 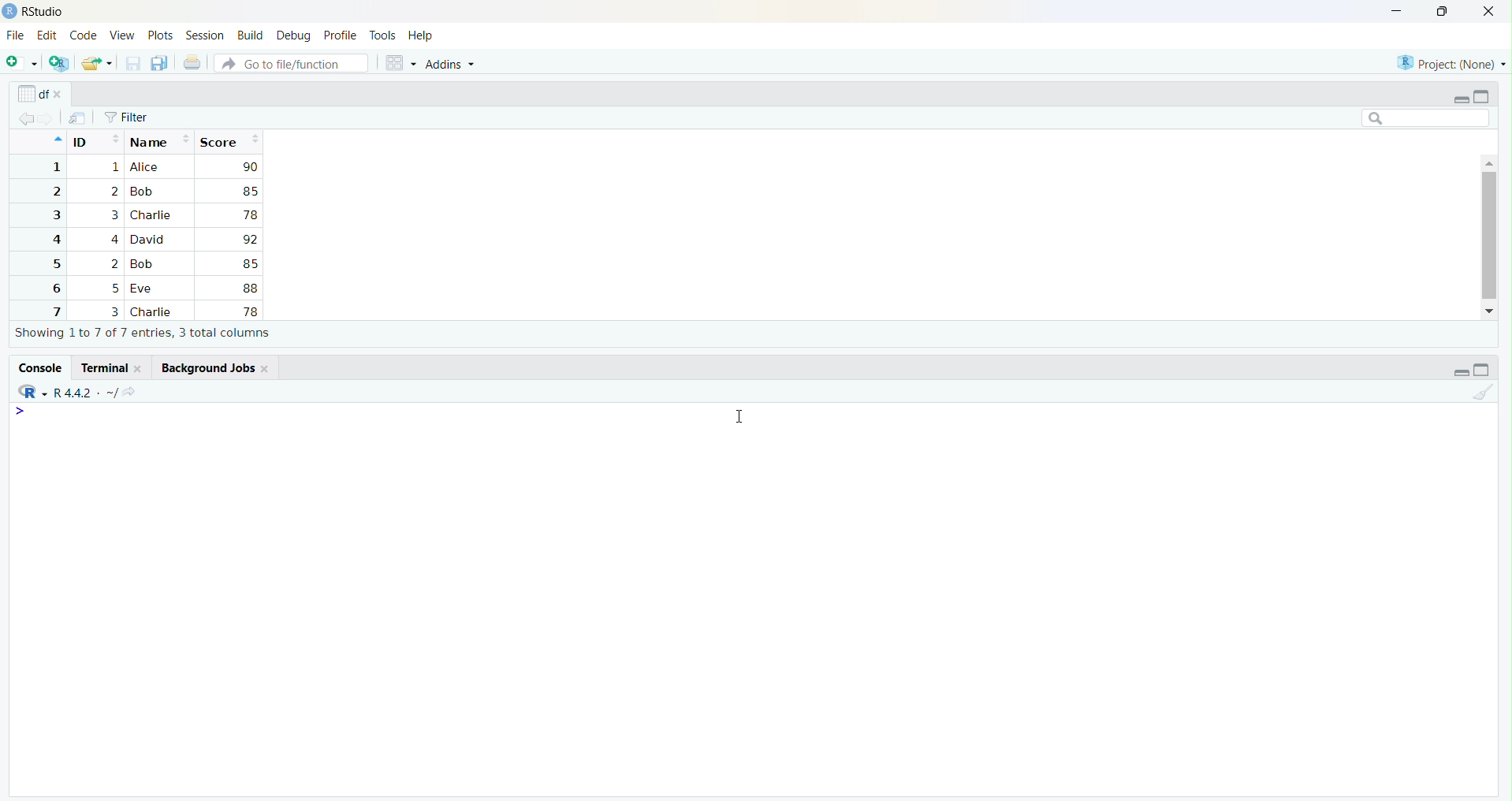 I want to click on New project, so click(x=60, y=64).